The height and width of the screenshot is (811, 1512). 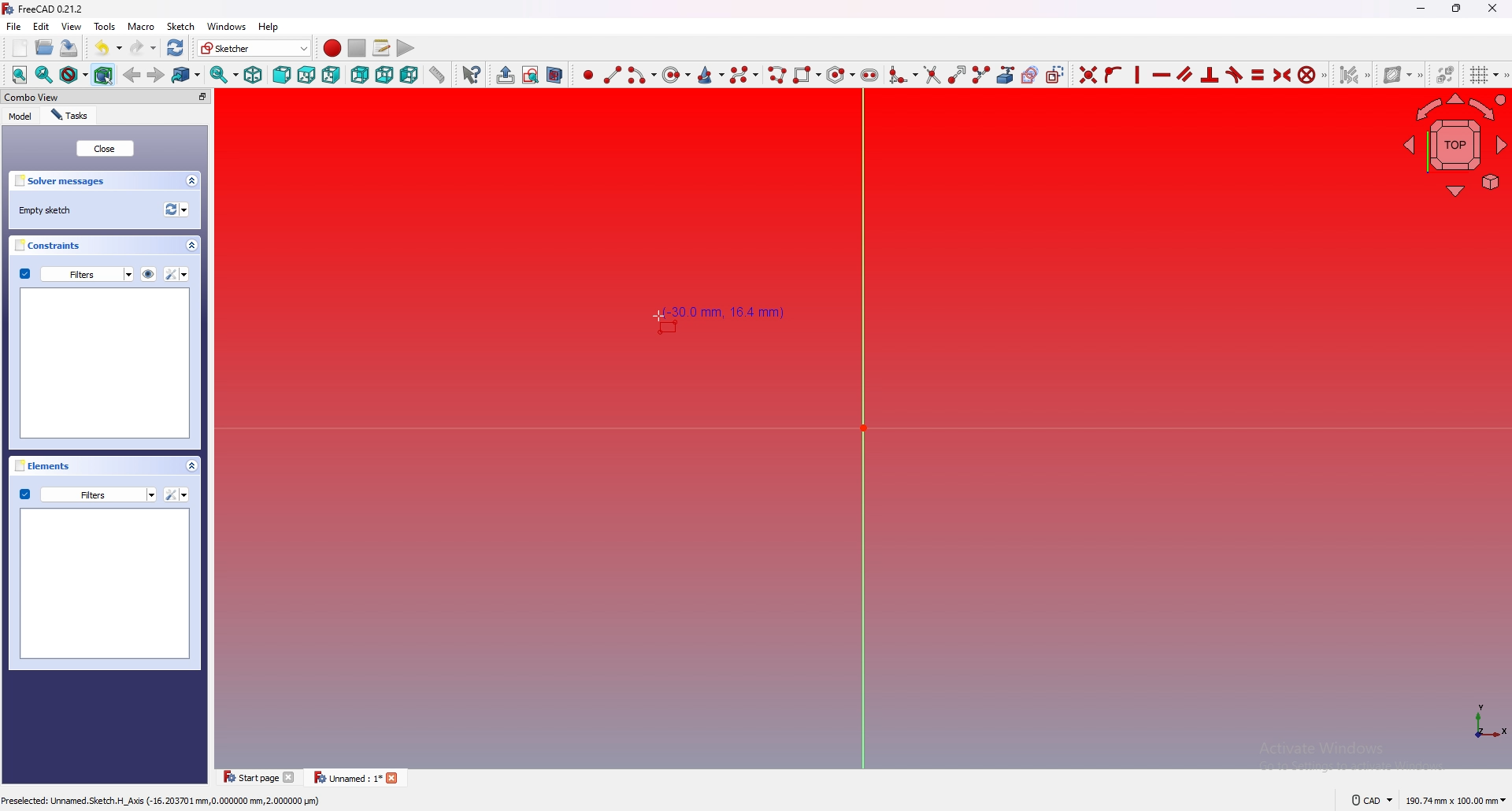 What do you see at coordinates (807, 74) in the screenshot?
I see `create rectangle` at bounding box center [807, 74].